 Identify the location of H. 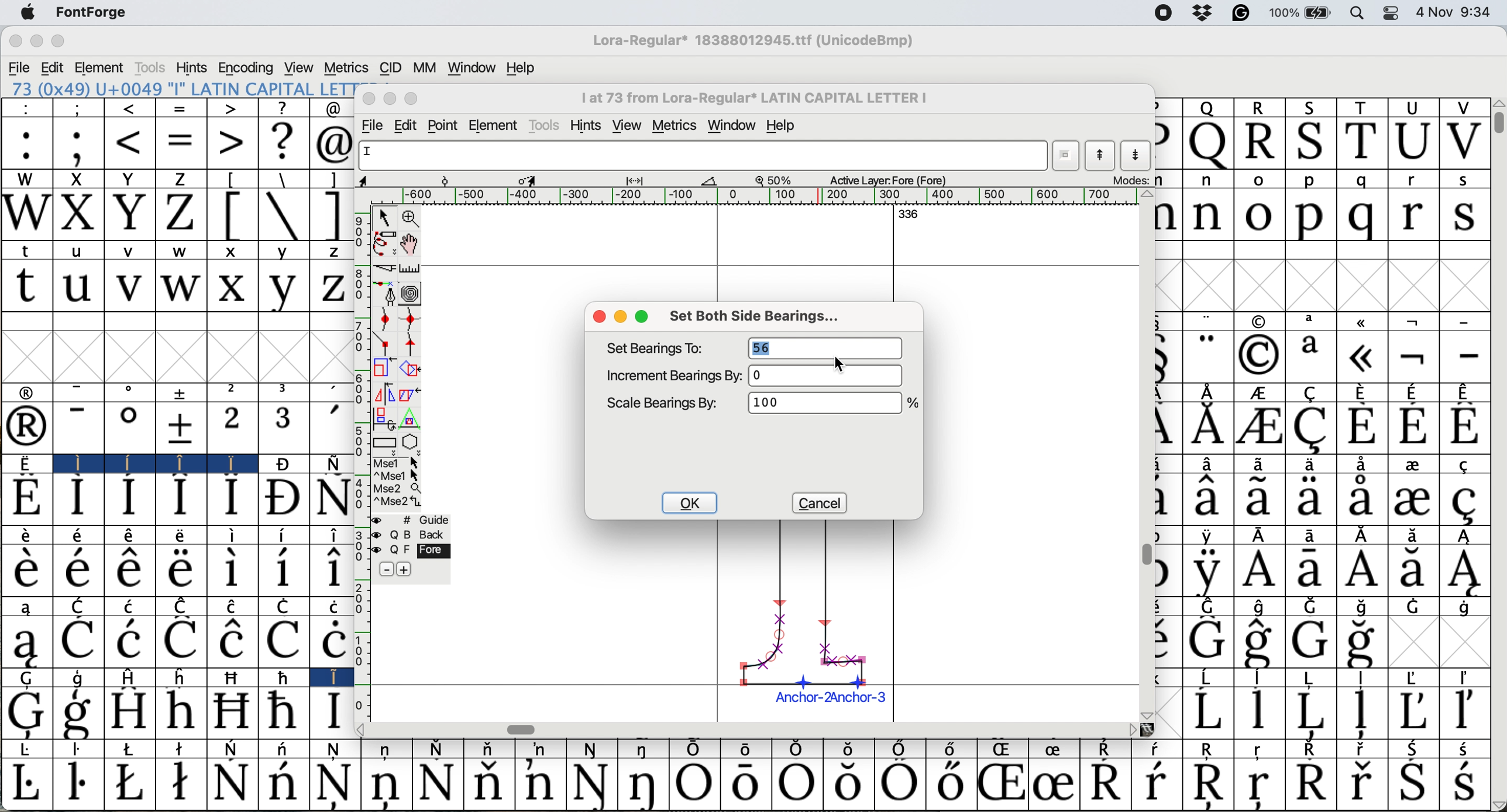
(134, 677).